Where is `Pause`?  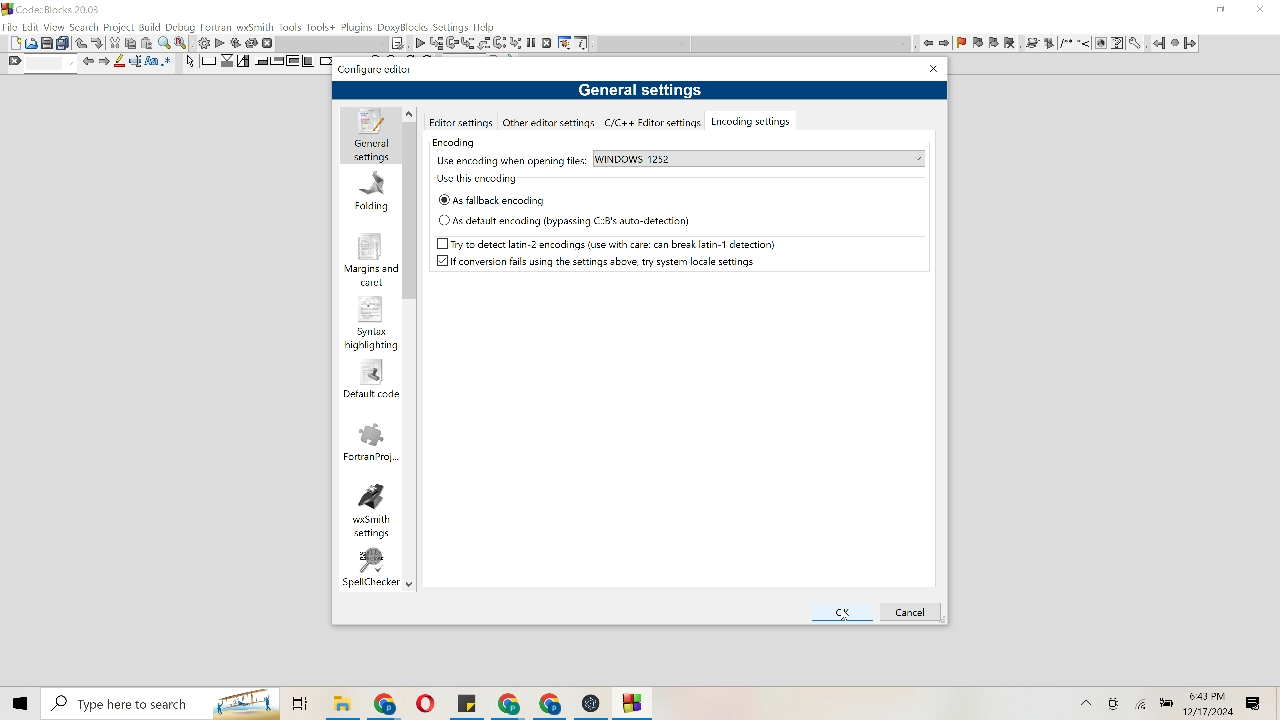
Pause is located at coordinates (530, 44).